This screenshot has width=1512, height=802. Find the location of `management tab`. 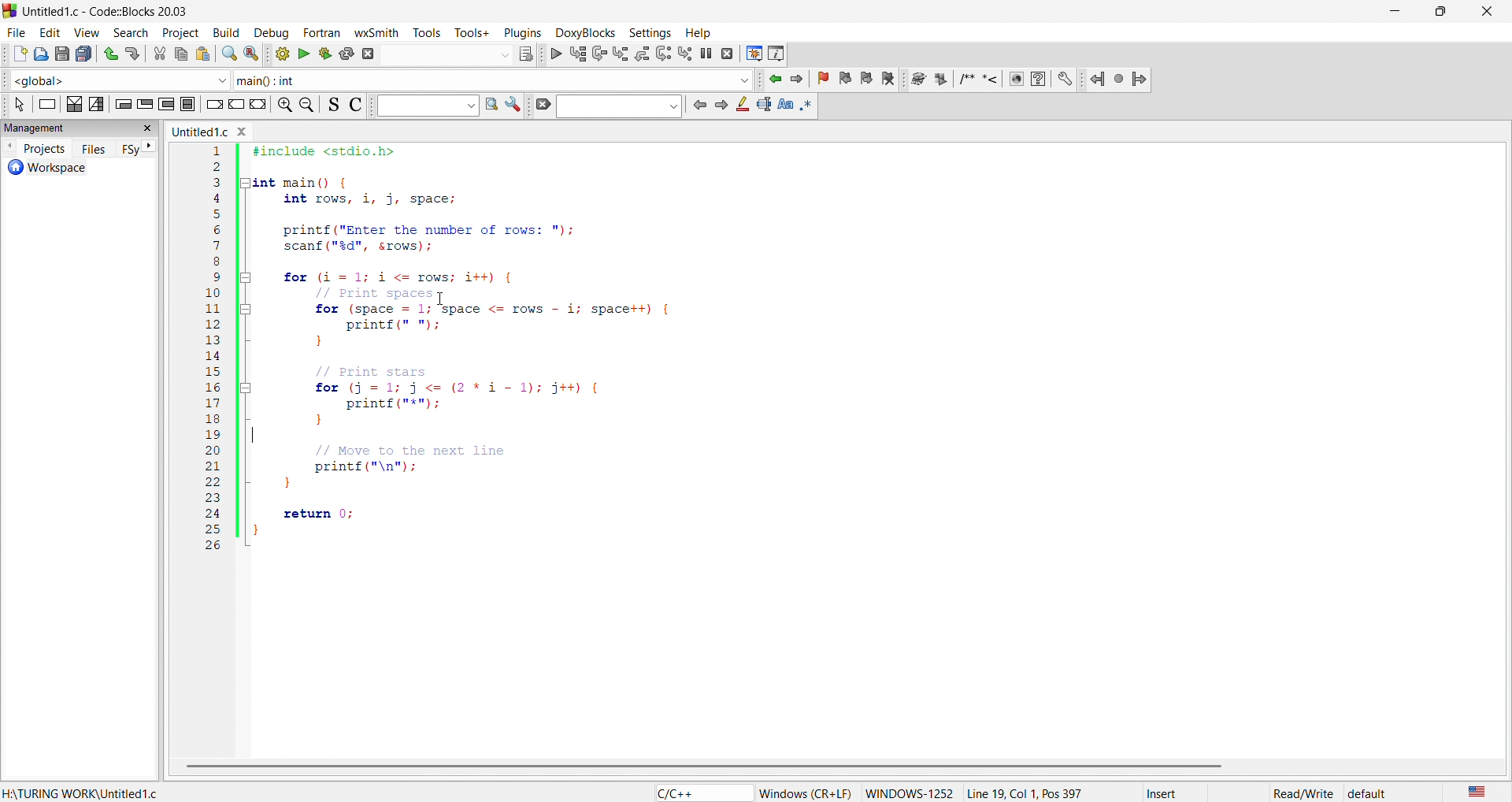

management tab is located at coordinates (64, 130).